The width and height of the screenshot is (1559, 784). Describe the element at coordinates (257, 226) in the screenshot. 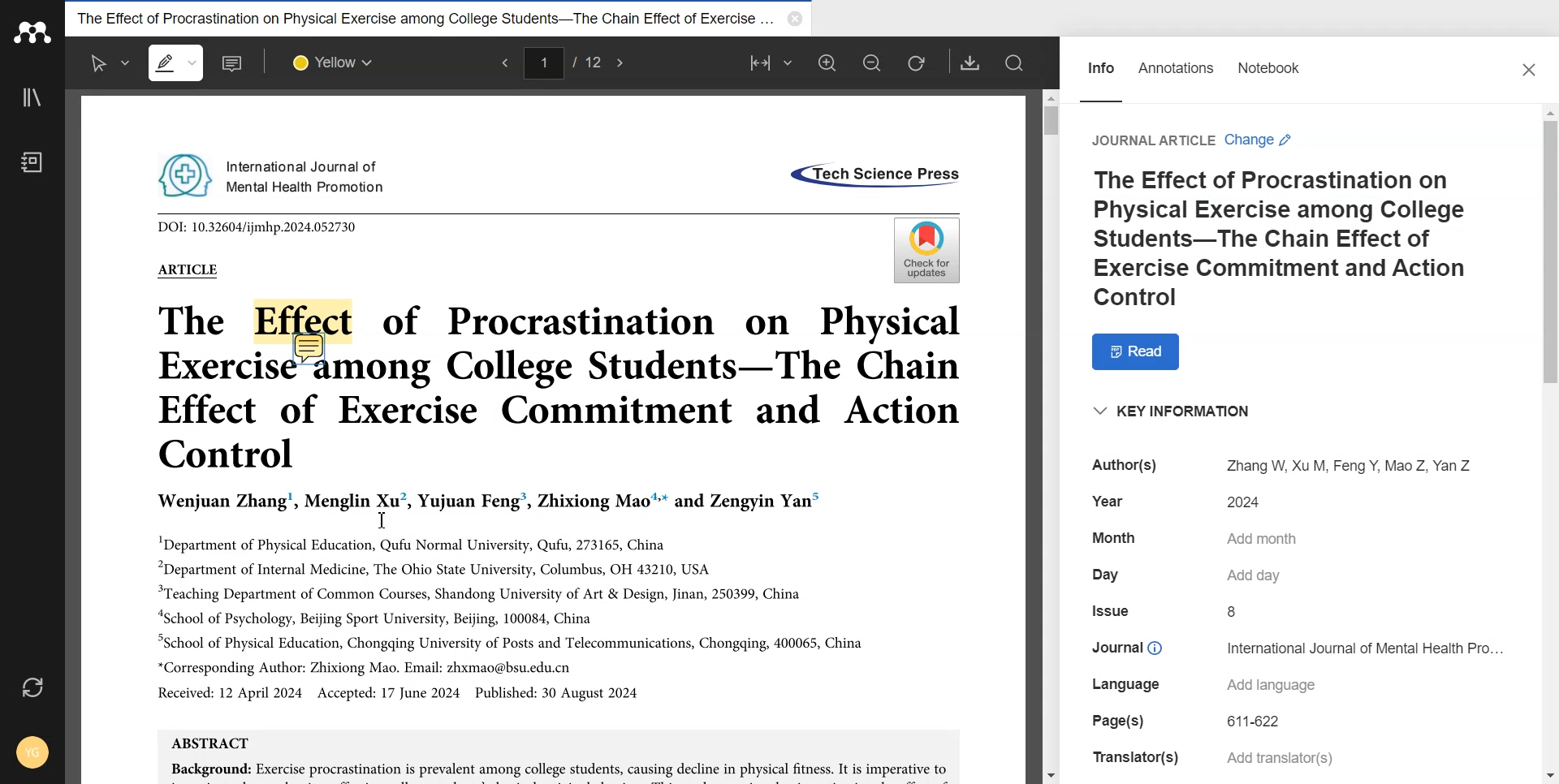

I see `DOI: 10.32604/ijmhp.2024.052730` at that location.